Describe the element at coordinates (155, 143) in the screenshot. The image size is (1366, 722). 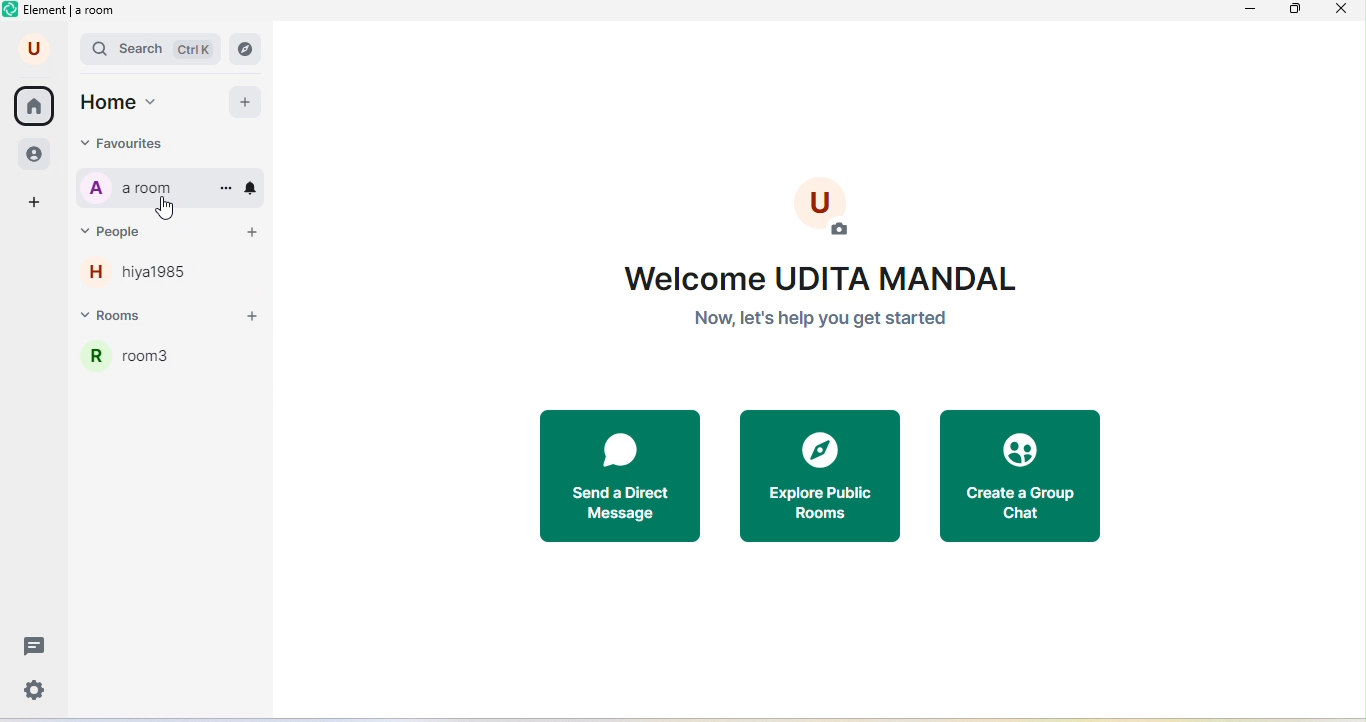
I see `favourites` at that location.